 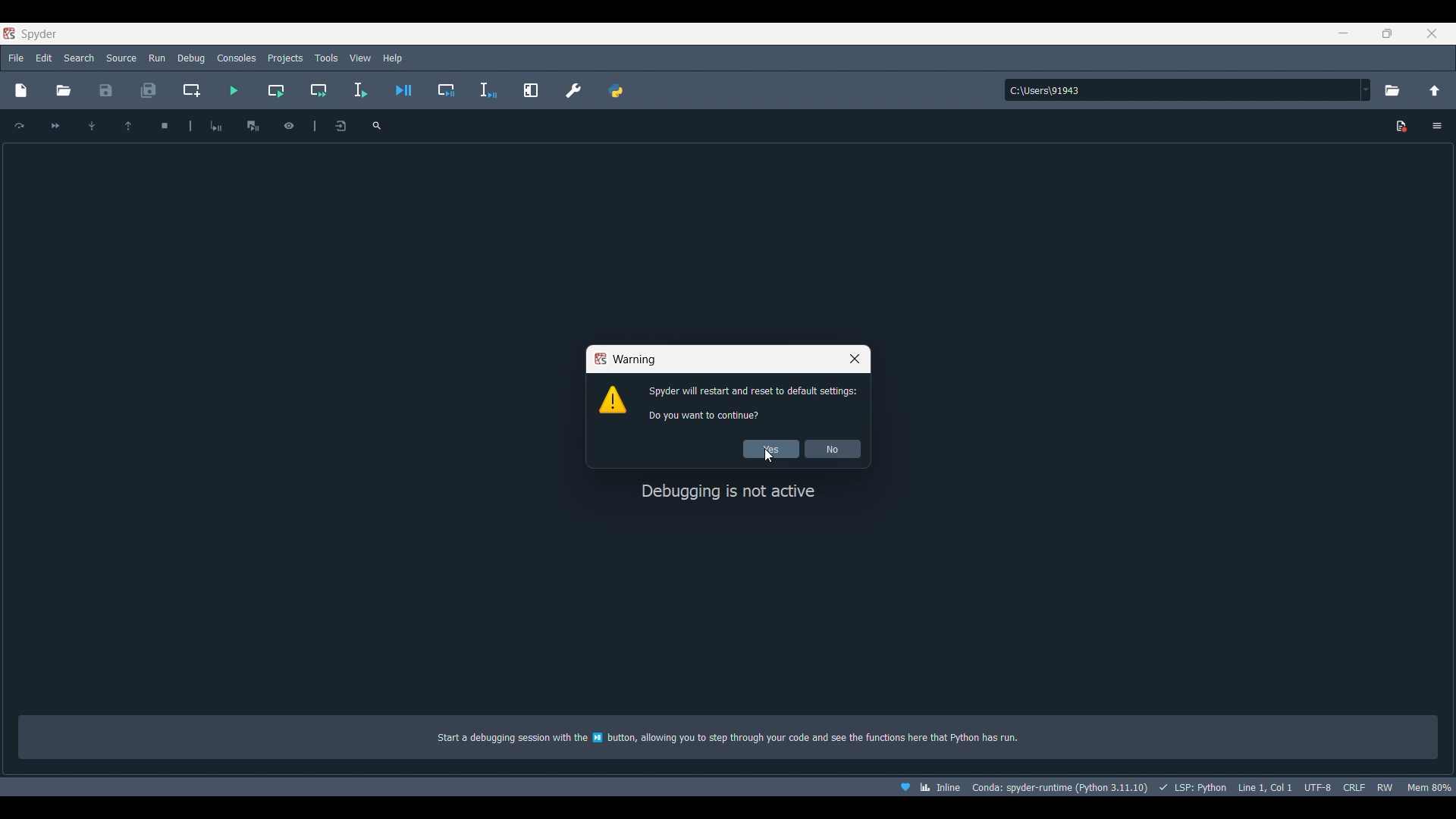 What do you see at coordinates (1353, 787) in the screenshot?
I see `crlf` at bounding box center [1353, 787].